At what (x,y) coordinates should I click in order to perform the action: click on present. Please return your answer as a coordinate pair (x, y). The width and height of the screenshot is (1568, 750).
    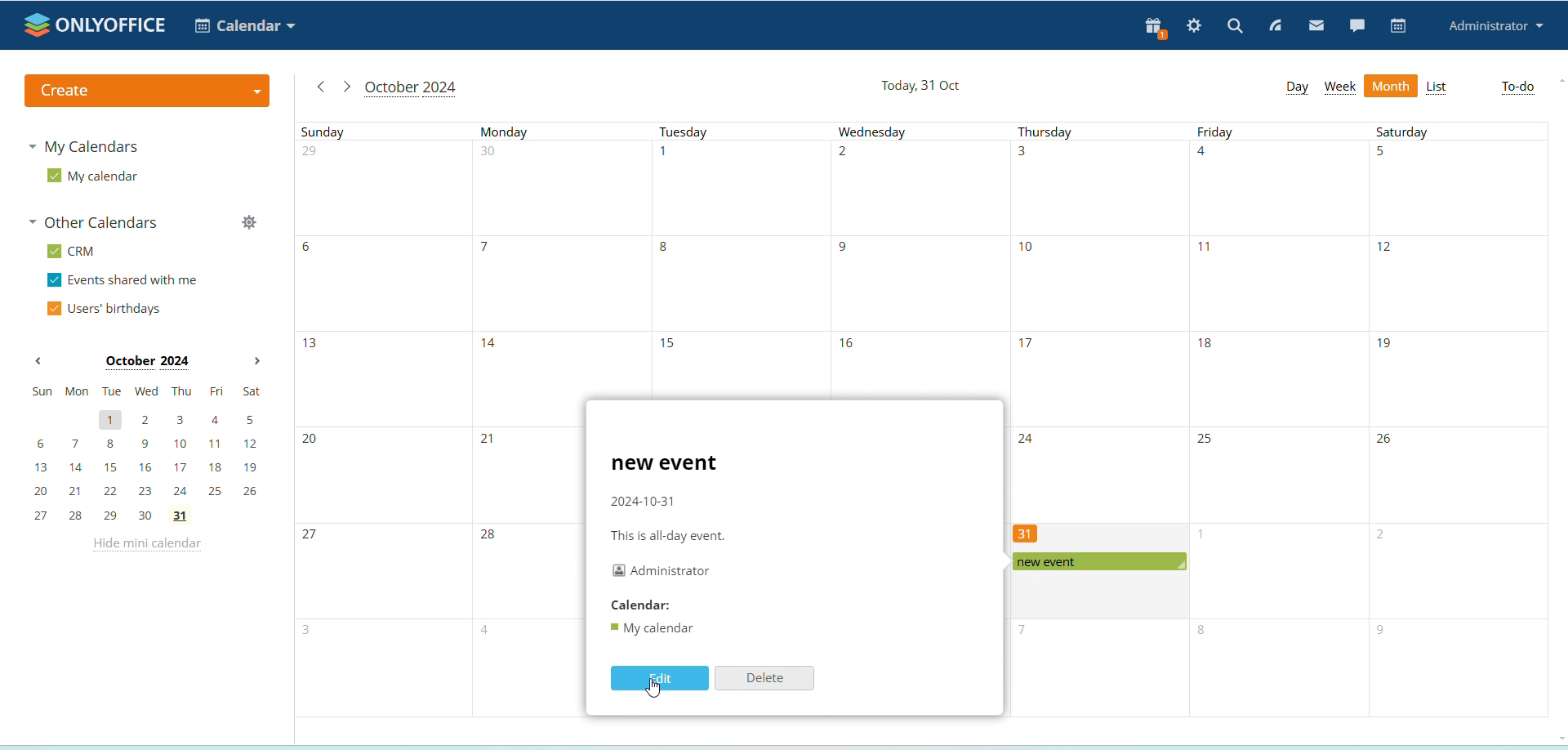
    Looking at the image, I should click on (1151, 29).